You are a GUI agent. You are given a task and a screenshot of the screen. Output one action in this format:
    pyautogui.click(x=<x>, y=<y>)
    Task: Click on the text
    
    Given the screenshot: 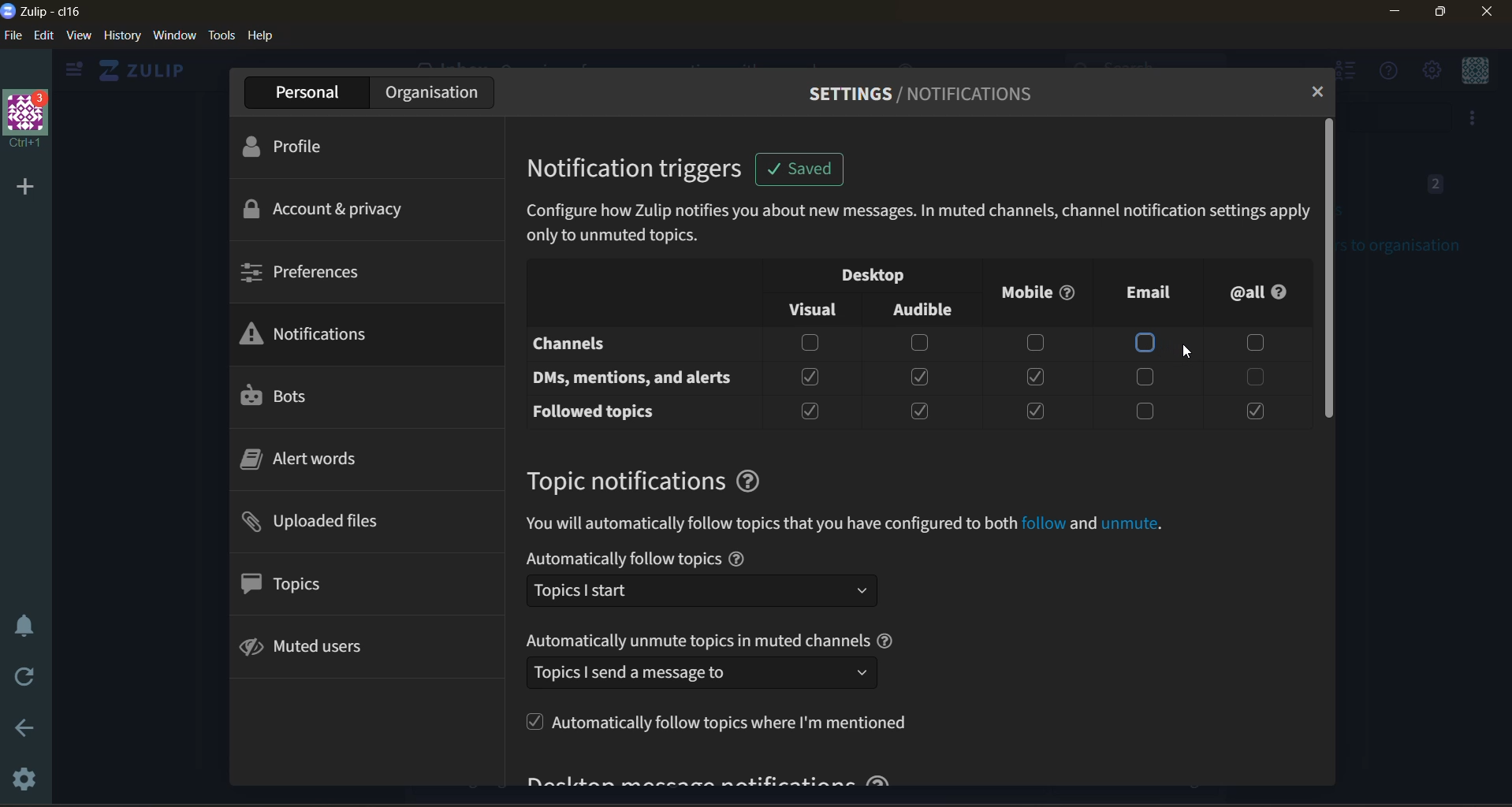 What is the action you would take?
    pyautogui.click(x=697, y=640)
    